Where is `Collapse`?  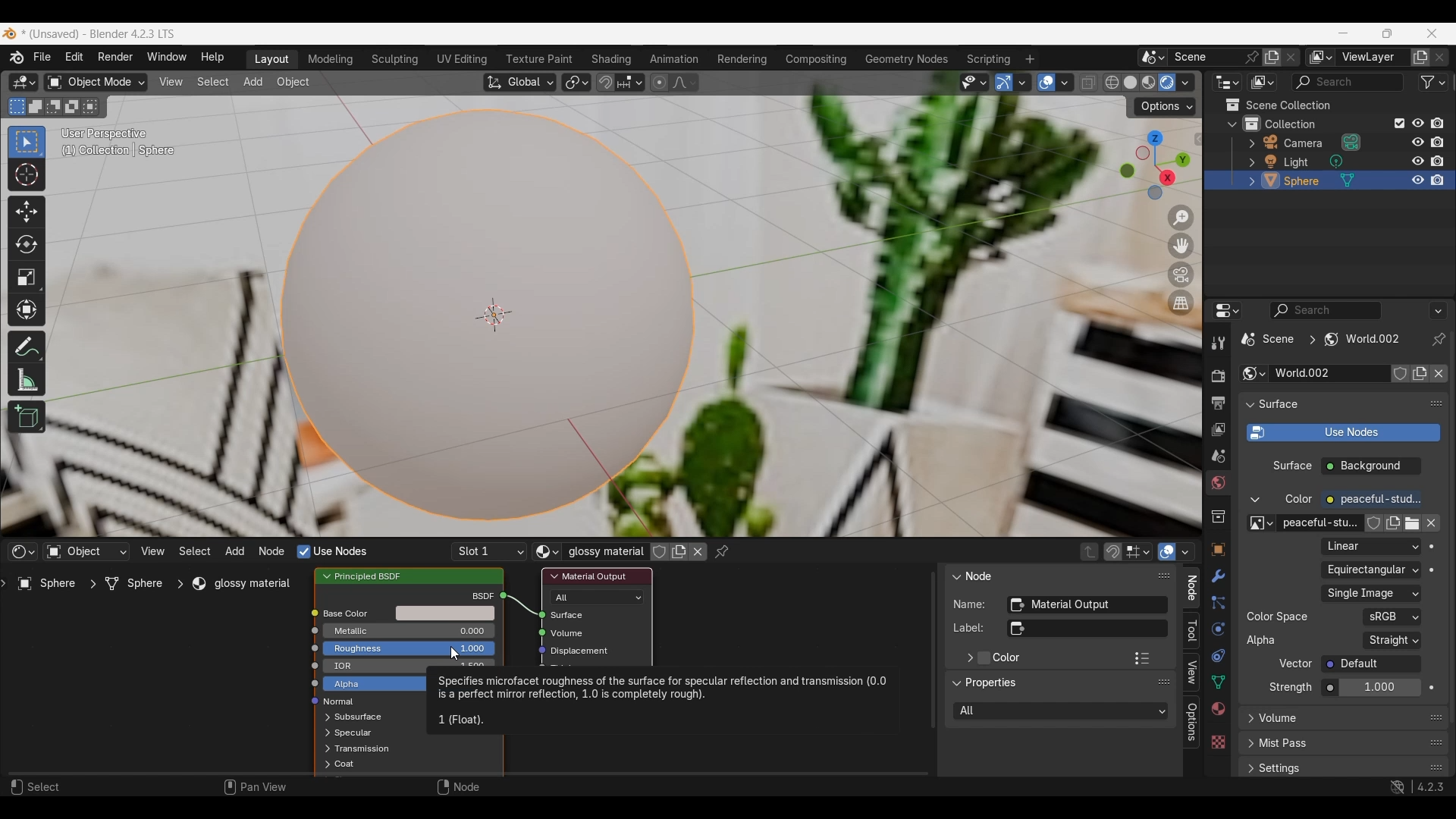 Collapse is located at coordinates (1232, 124).